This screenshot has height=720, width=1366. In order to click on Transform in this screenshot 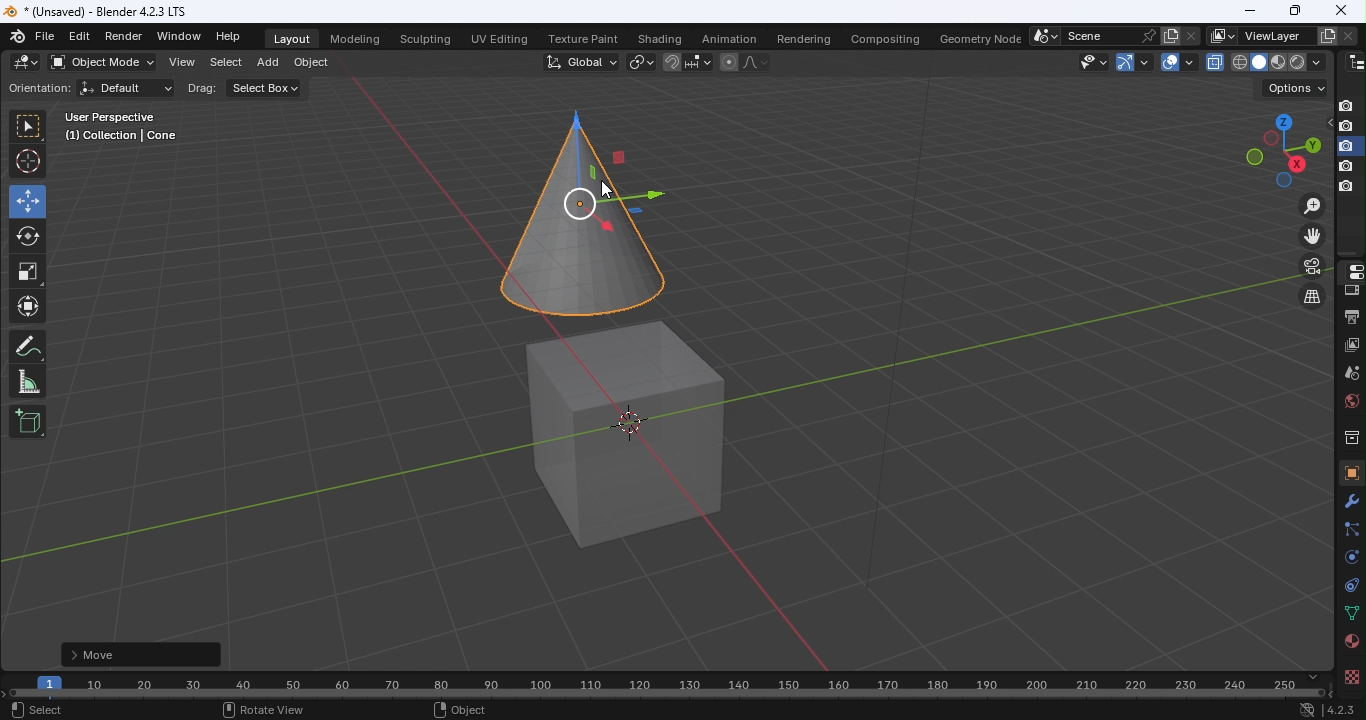, I will do `click(28, 309)`.